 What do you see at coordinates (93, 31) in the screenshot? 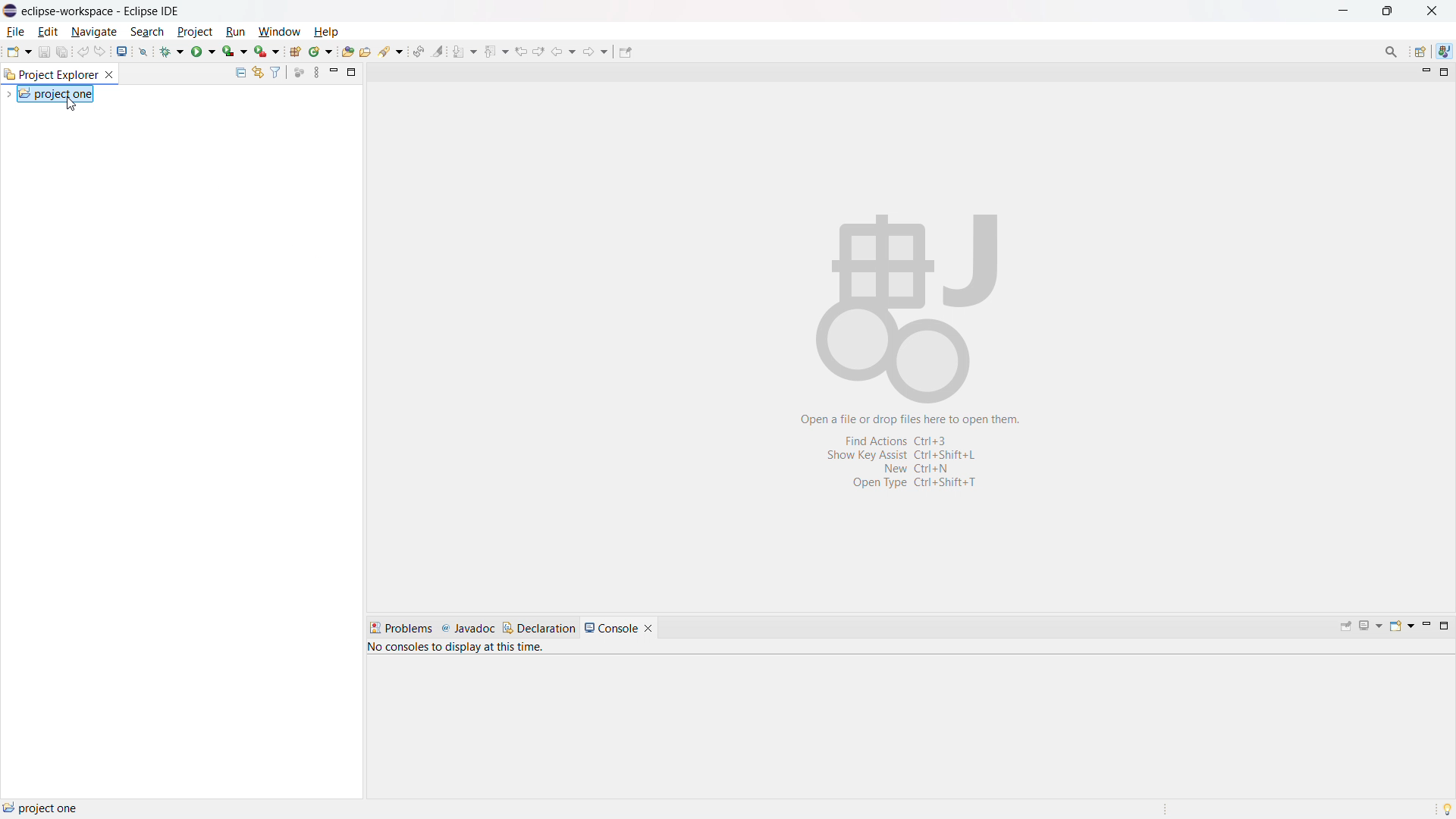
I see `navigate` at bounding box center [93, 31].